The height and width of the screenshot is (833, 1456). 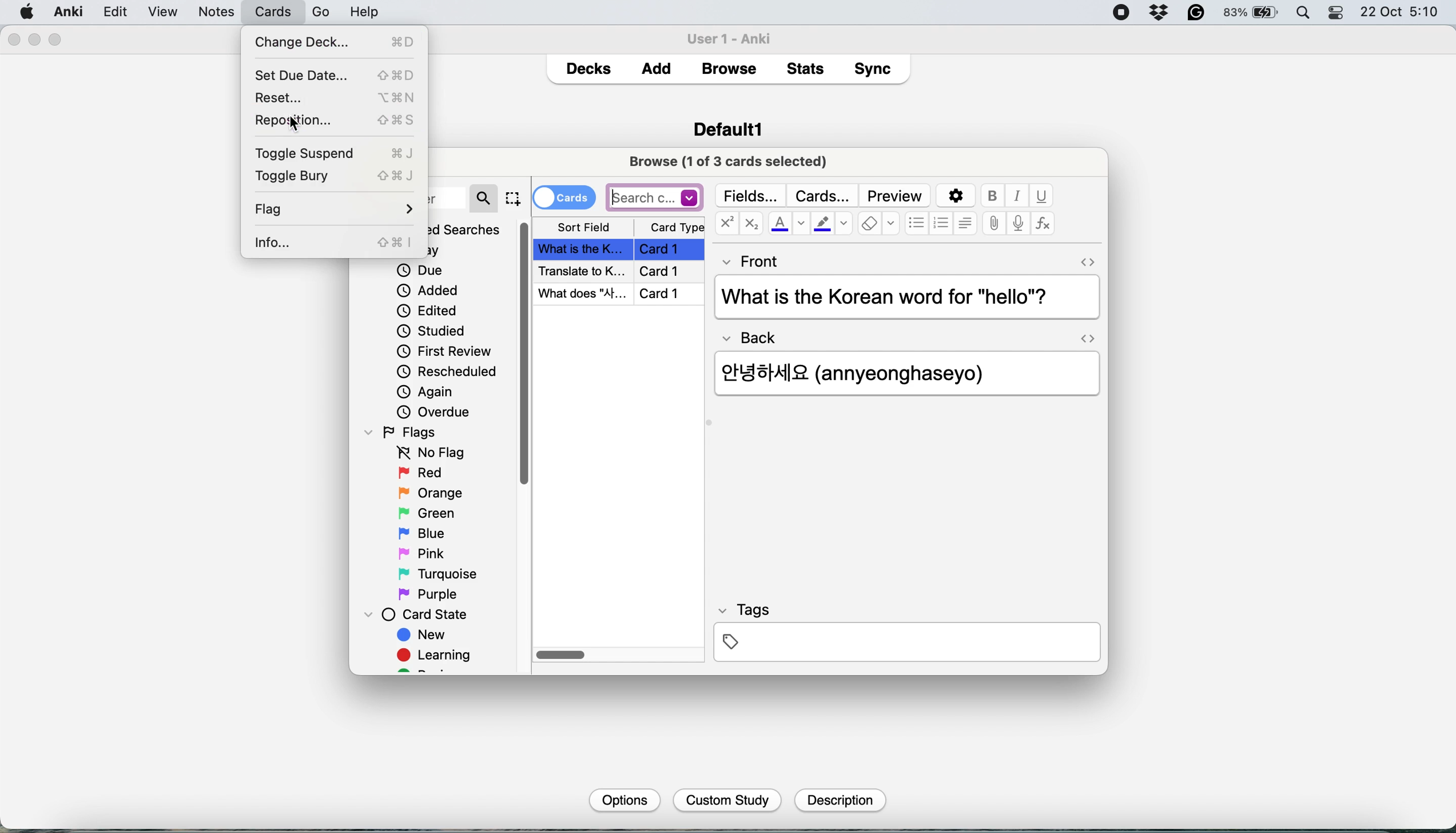 I want to click on preview, so click(x=895, y=196).